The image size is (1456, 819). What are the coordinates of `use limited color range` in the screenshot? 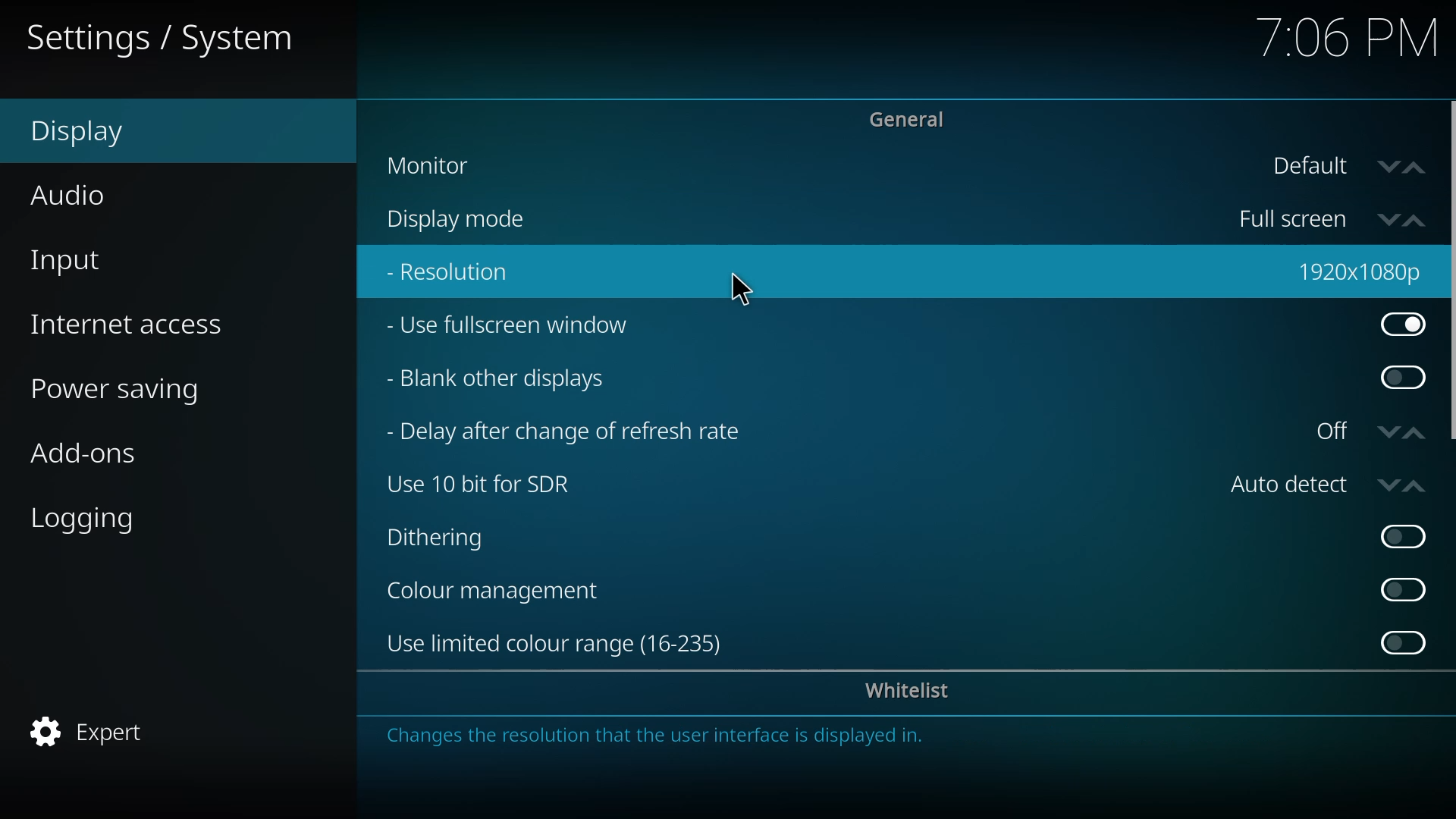 It's located at (552, 645).